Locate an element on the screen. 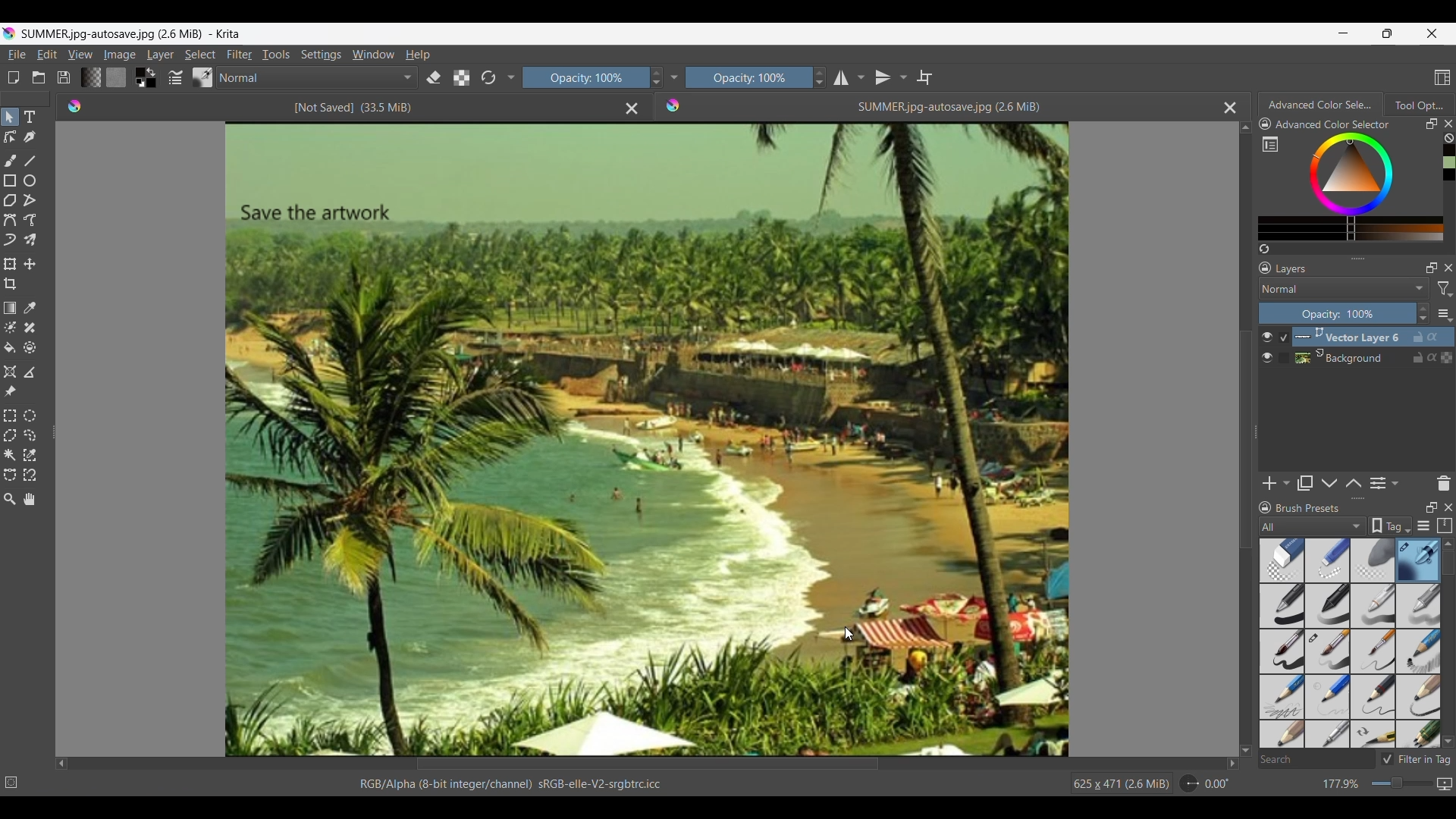 The image size is (1456, 819). Layer is located at coordinates (160, 54).